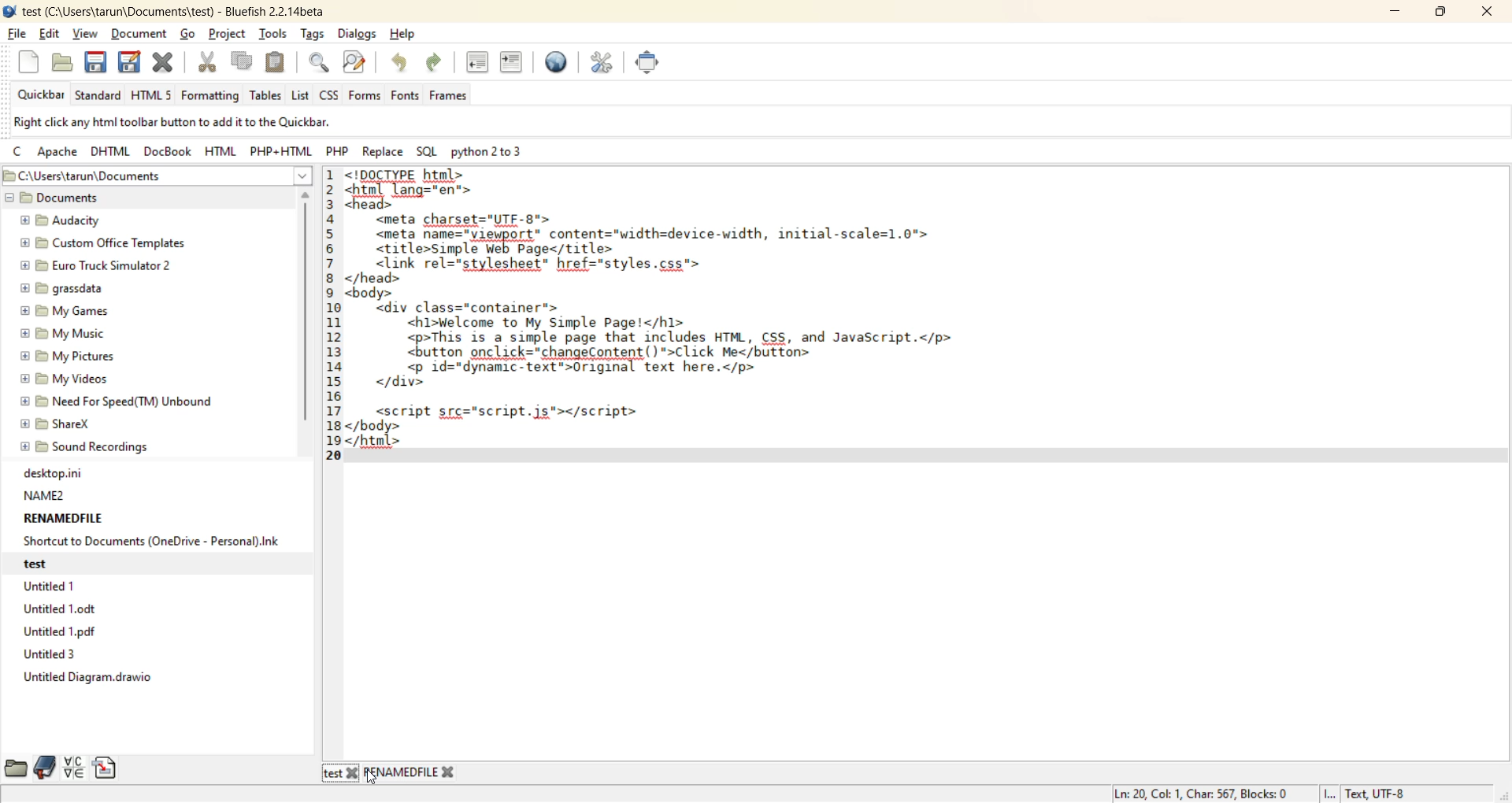 The width and height of the screenshot is (1512, 803). Describe the element at coordinates (95, 263) in the screenshot. I see `Euro Truck Simulator 2` at that location.